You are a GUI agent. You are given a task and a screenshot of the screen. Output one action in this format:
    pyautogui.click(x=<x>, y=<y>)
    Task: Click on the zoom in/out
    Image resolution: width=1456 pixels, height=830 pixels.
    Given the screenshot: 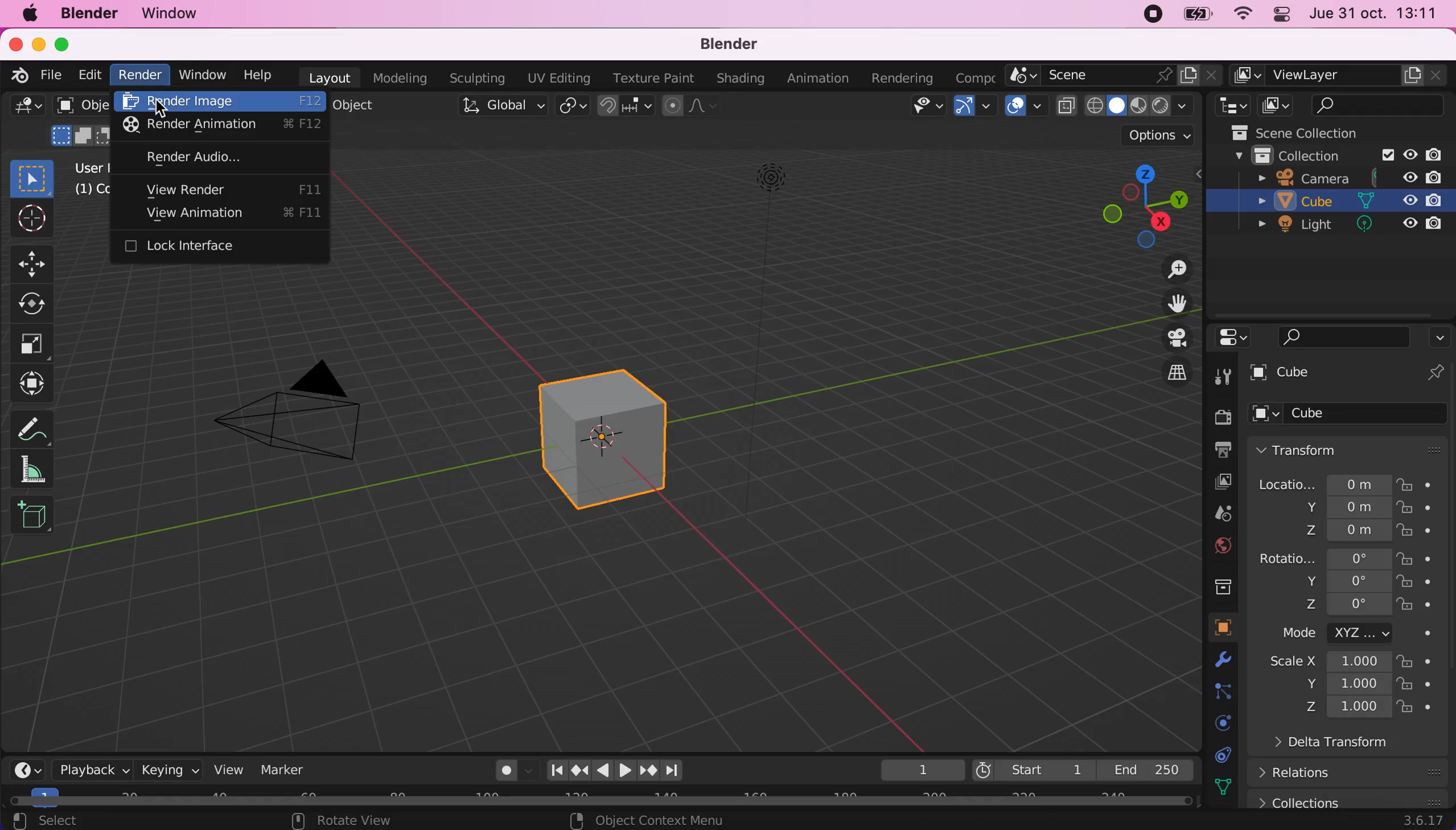 What is the action you would take?
    pyautogui.click(x=1168, y=270)
    